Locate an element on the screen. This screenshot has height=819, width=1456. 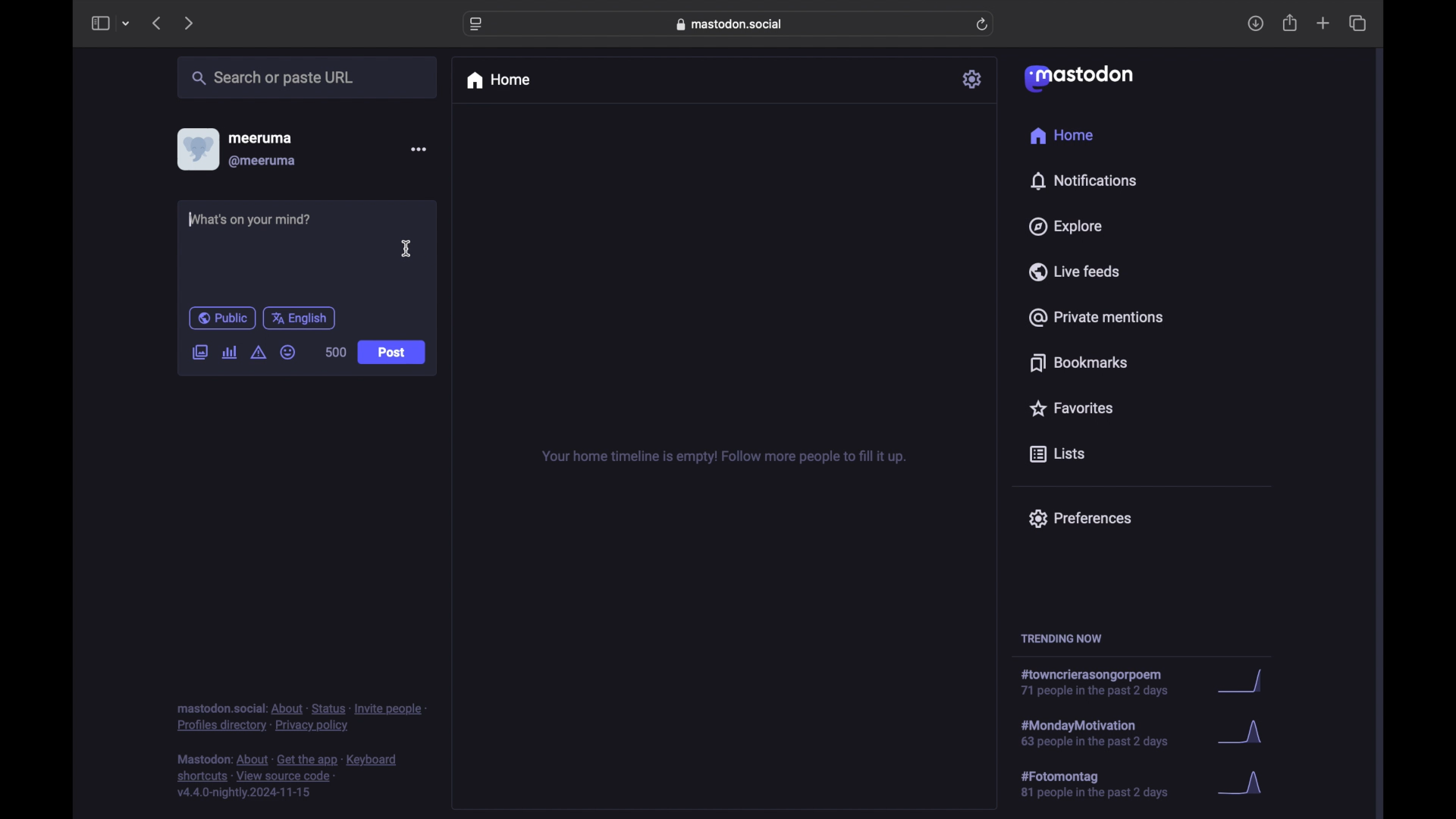
downloads is located at coordinates (1255, 24).